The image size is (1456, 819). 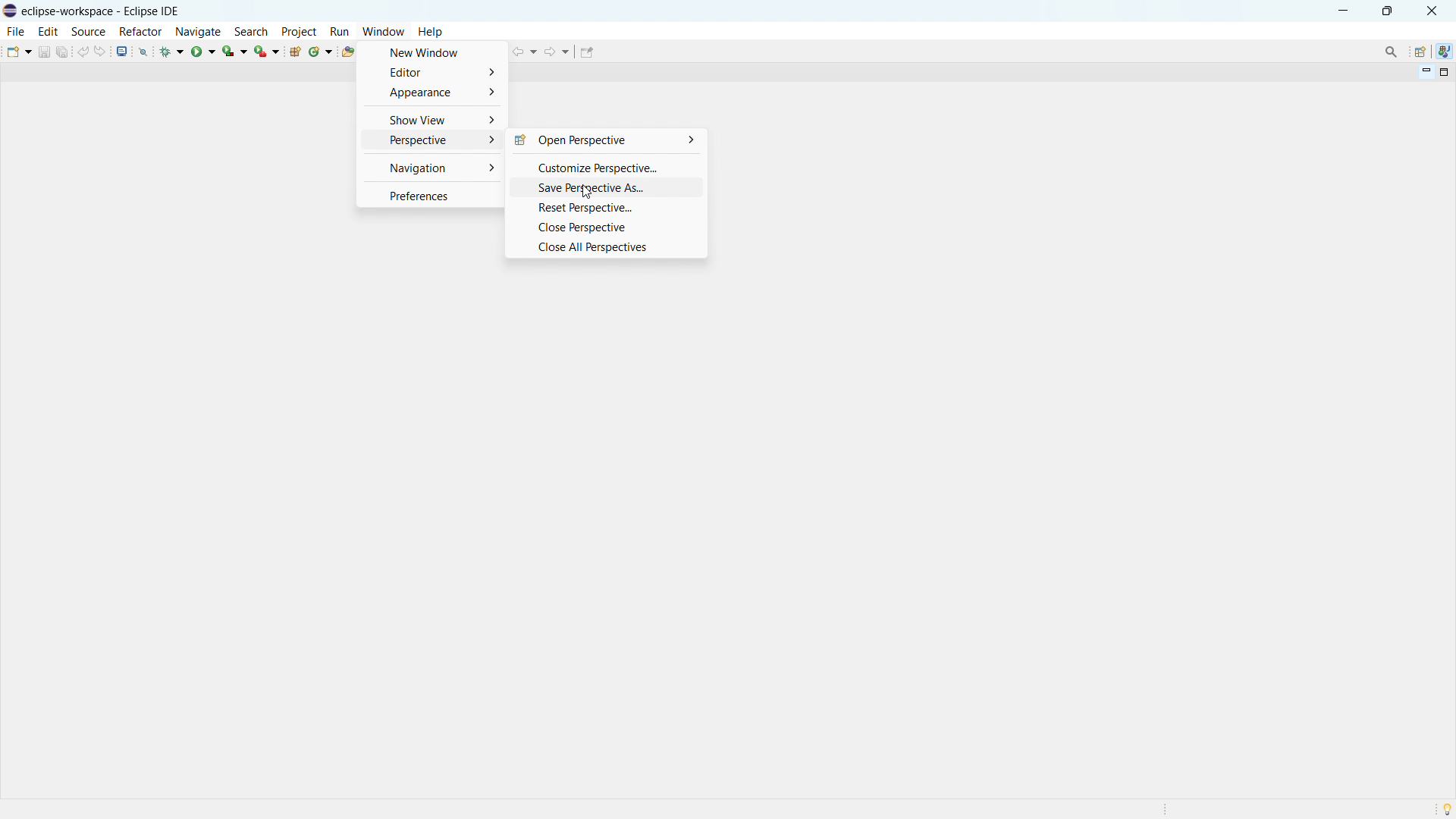 What do you see at coordinates (83, 51) in the screenshot?
I see `undo` at bounding box center [83, 51].